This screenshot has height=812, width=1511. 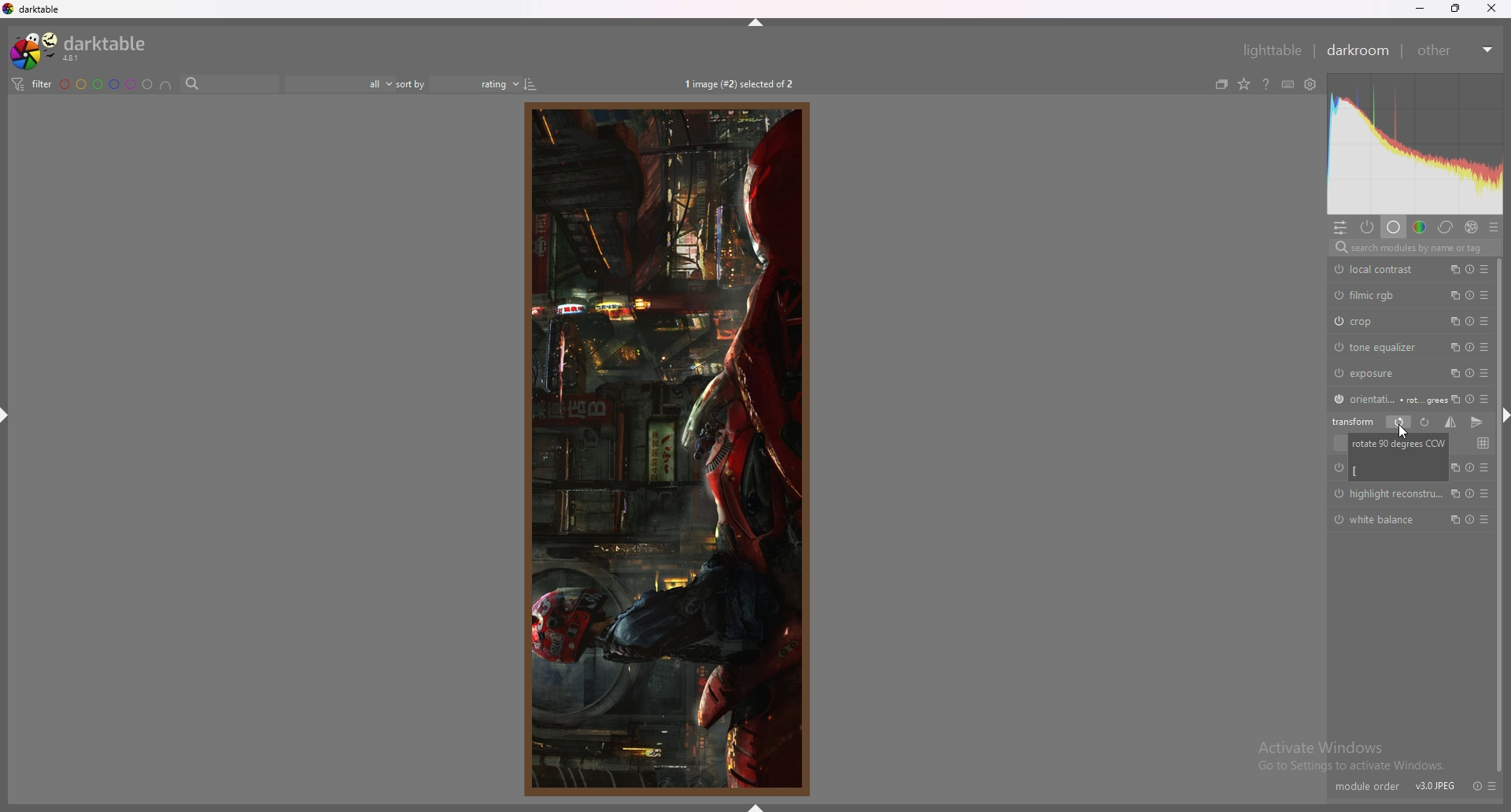 What do you see at coordinates (1487, 466) in the screenshot?
I see `` at bounding box center [1487, 466].